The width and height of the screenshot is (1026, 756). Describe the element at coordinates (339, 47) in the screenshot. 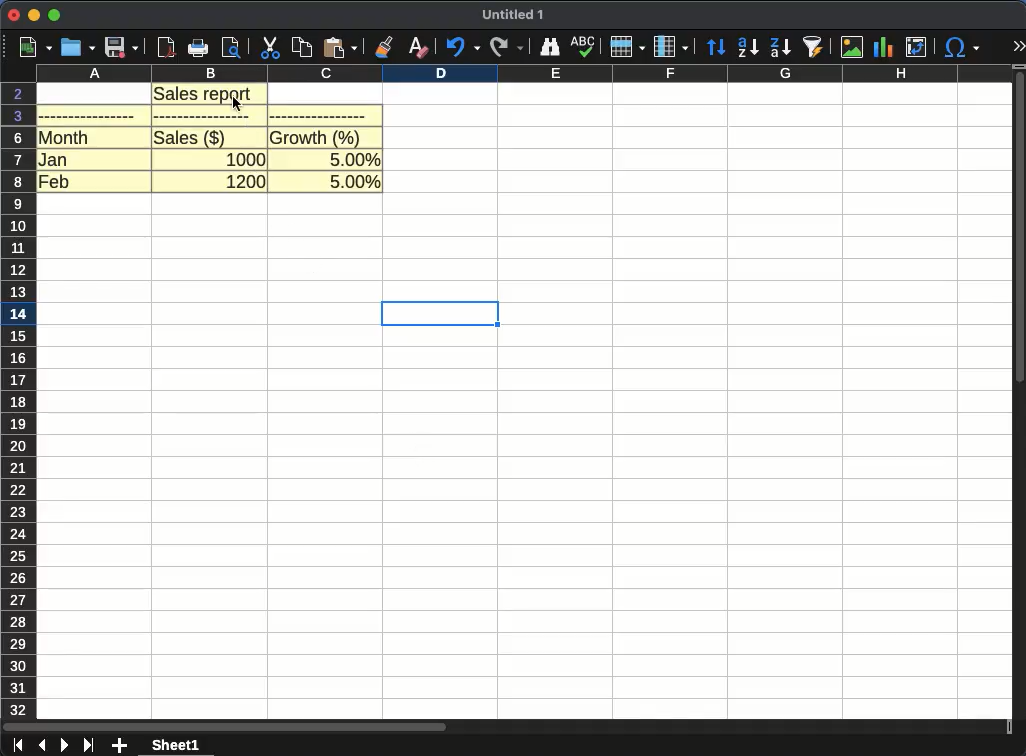

I see `paste` at that location.